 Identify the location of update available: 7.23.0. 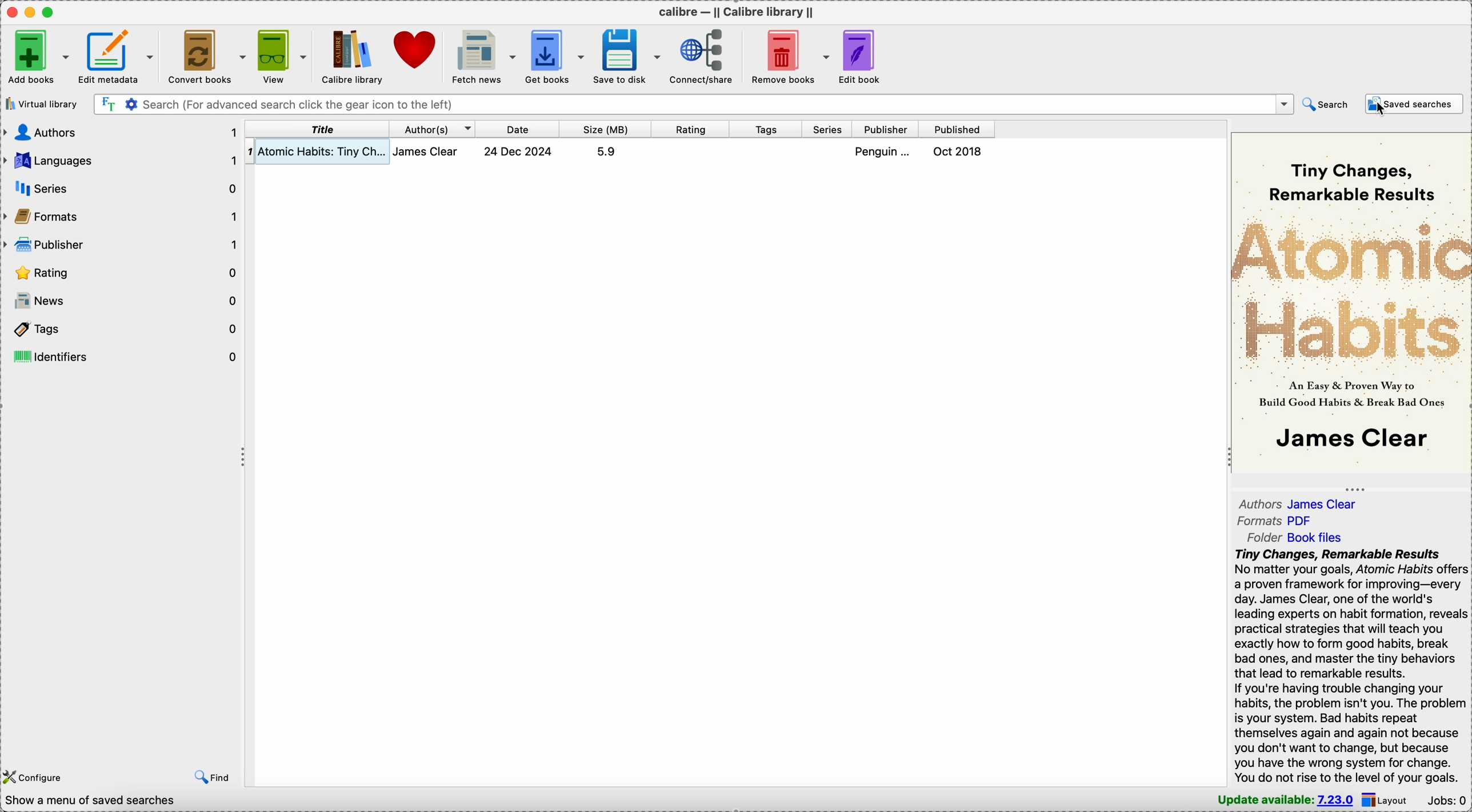
(1281, 799).